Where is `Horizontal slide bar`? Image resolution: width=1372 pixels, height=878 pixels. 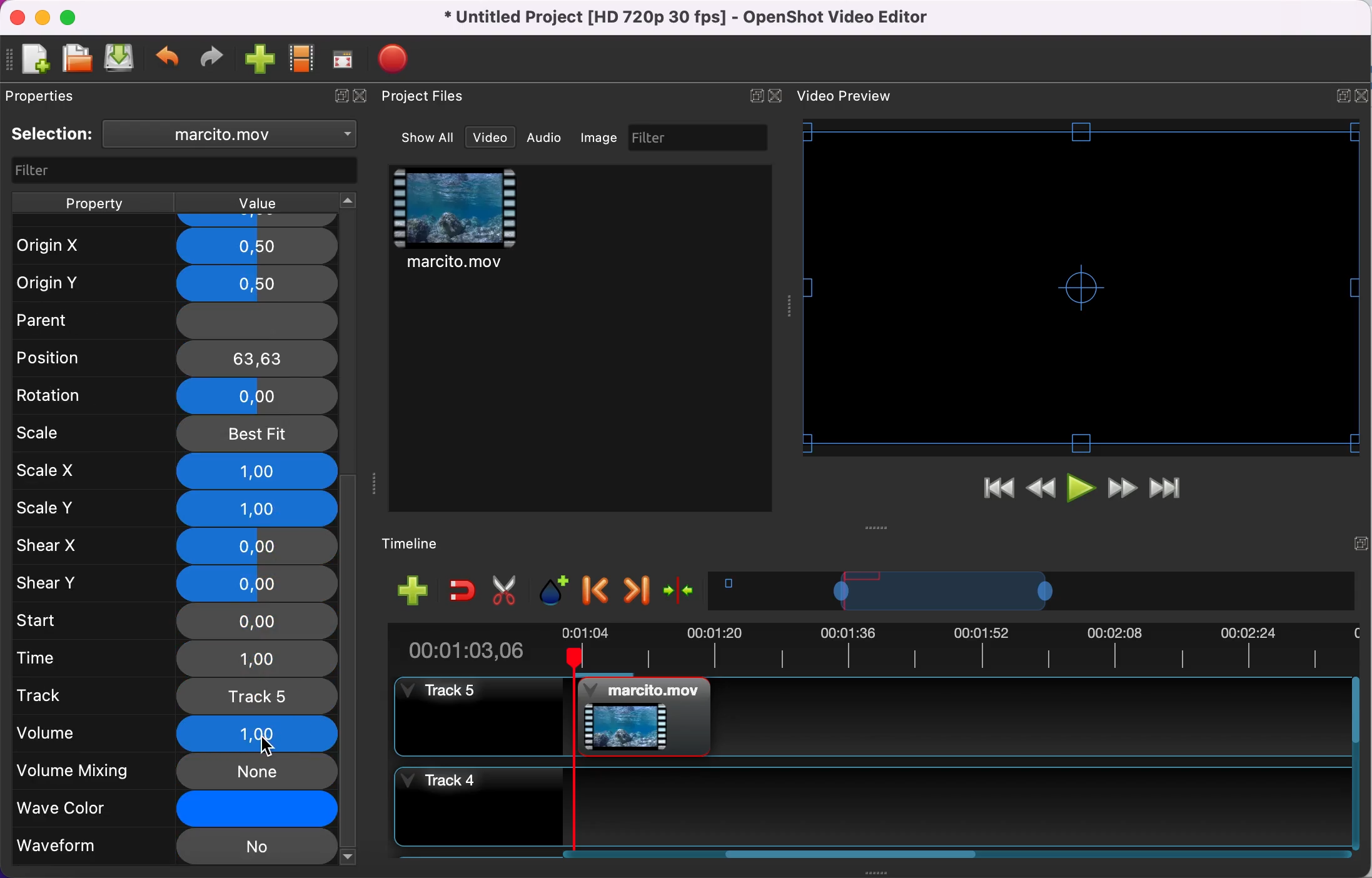 Horizontal slide bar is located at coordinates (852, 854).